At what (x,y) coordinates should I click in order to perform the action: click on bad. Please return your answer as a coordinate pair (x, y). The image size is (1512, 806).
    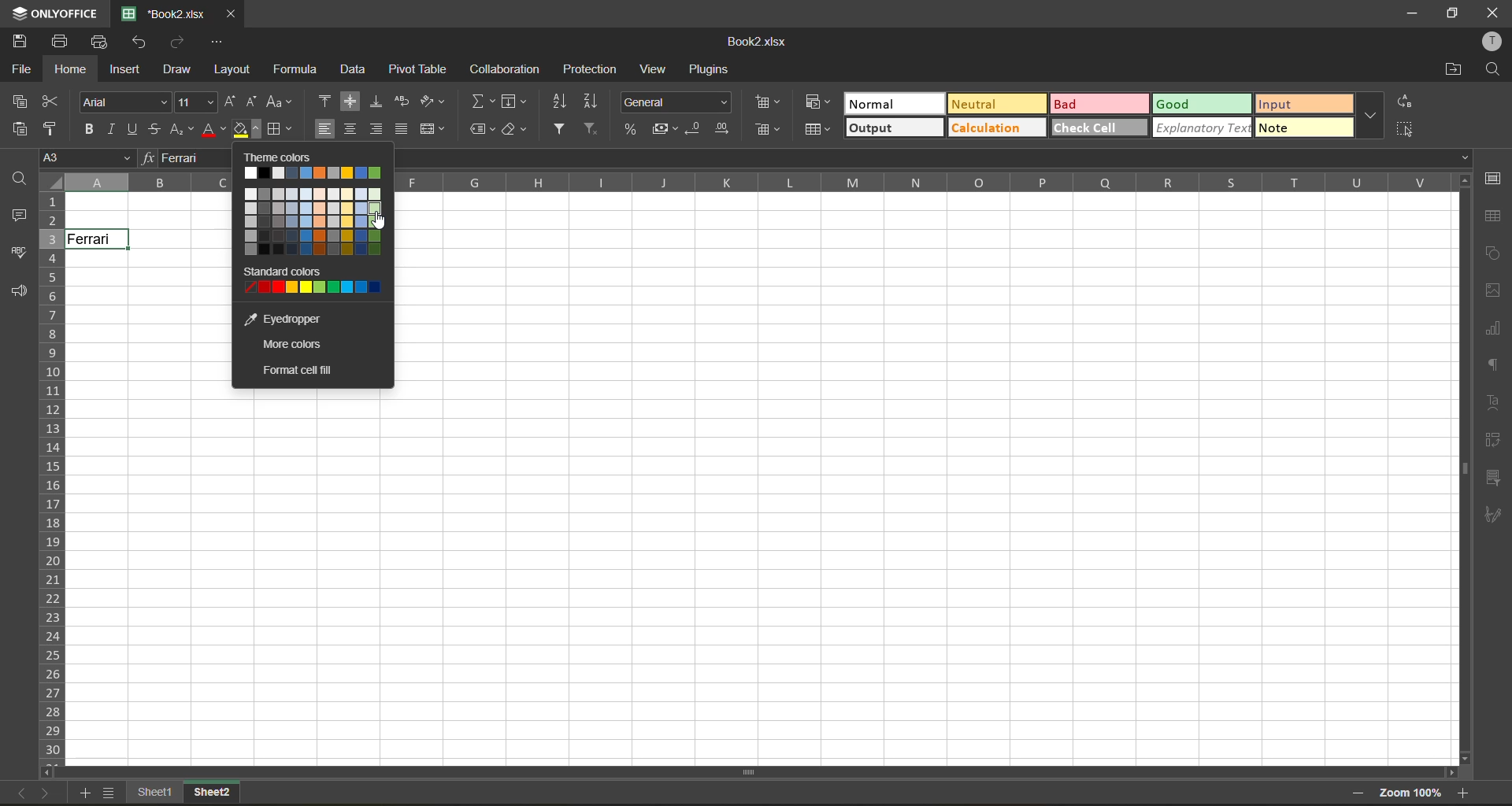
    Looking at the image, I should click on (1099, 104).